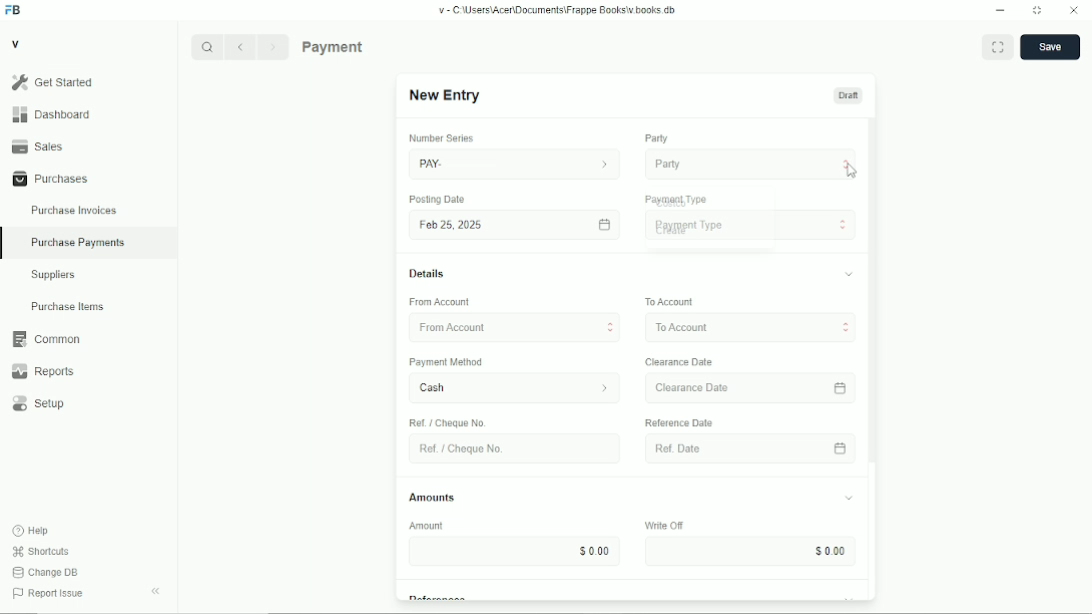 The image size is (1092, 614). Describe the element at coordinates (1037, 10) in the screenshot. I see `Change dimension` at that location.